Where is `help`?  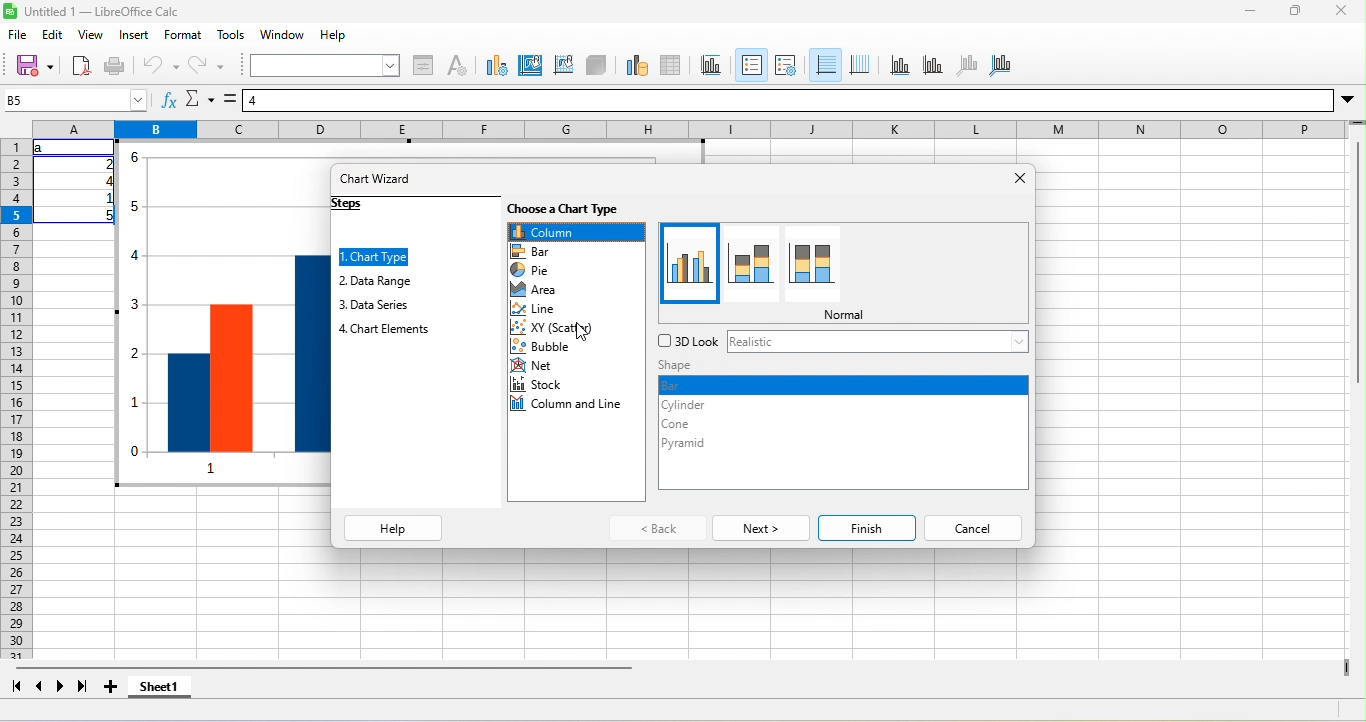 help is located at coordinates (393, 528).